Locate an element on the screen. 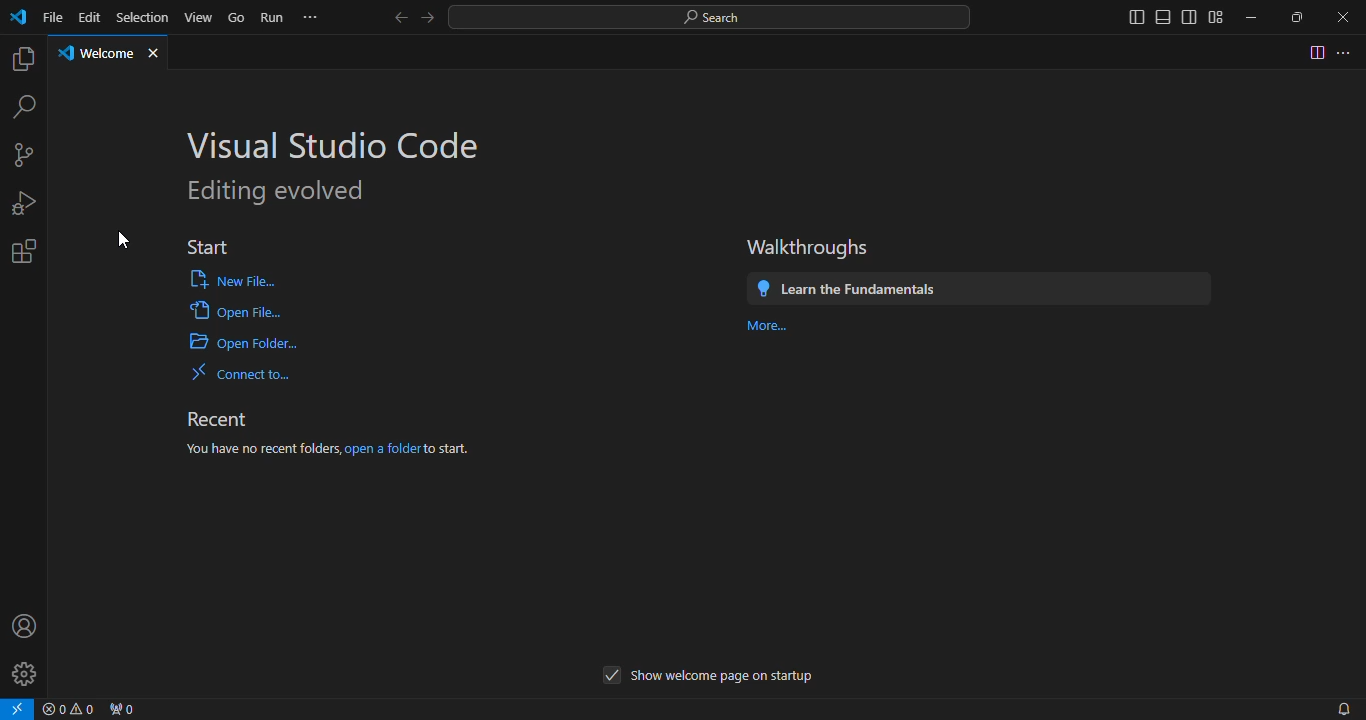 The width and height of the screenshot is (1366, 720). you have no recent folders, open a folder to start. is located at coordinates (335, 449).